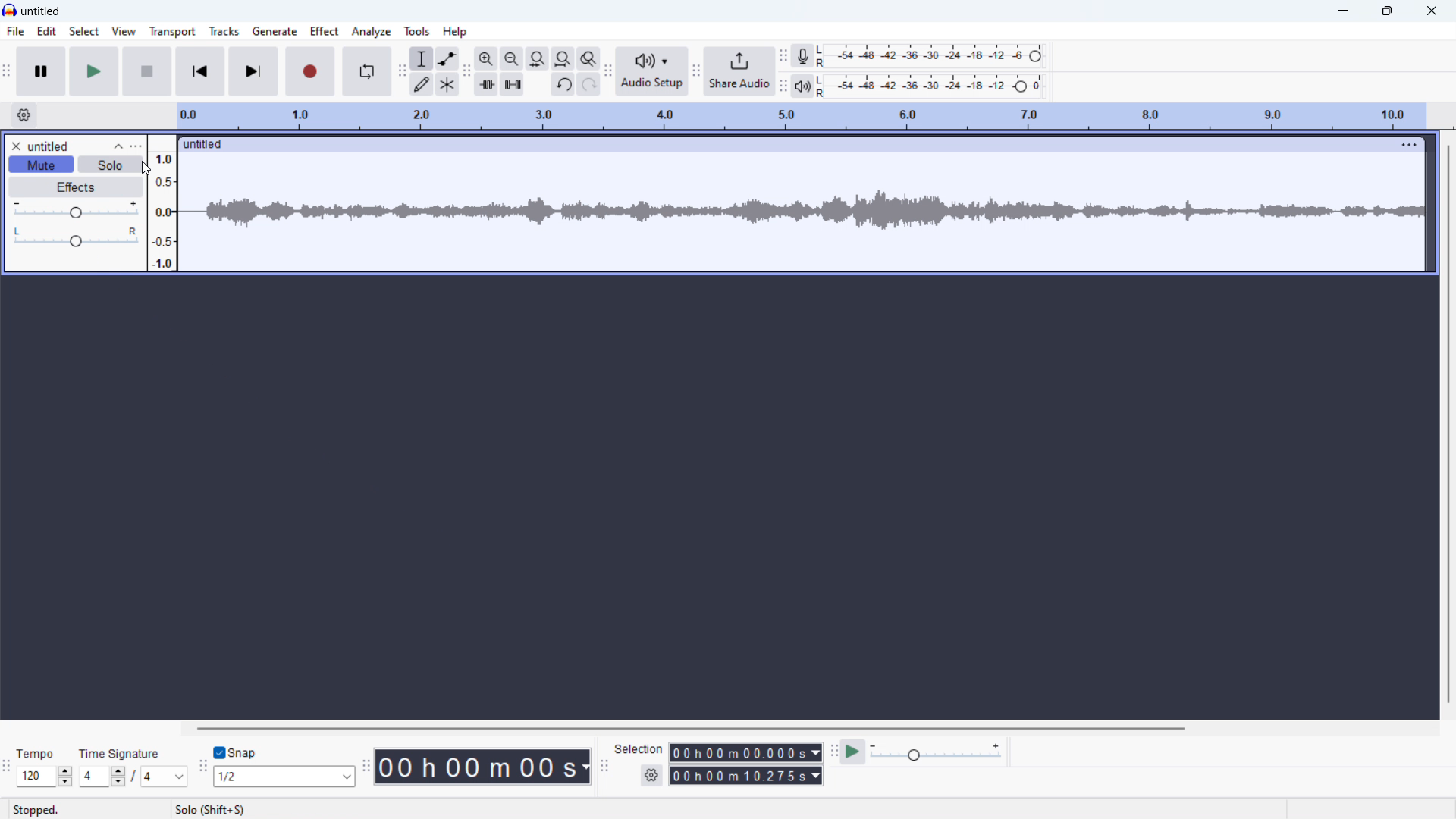 The height and width of the screenshot is (819, 1456). What do you see at coordinates (147, 168) in the screenshot?
I see `cursor` at bounding box center [147, 168].